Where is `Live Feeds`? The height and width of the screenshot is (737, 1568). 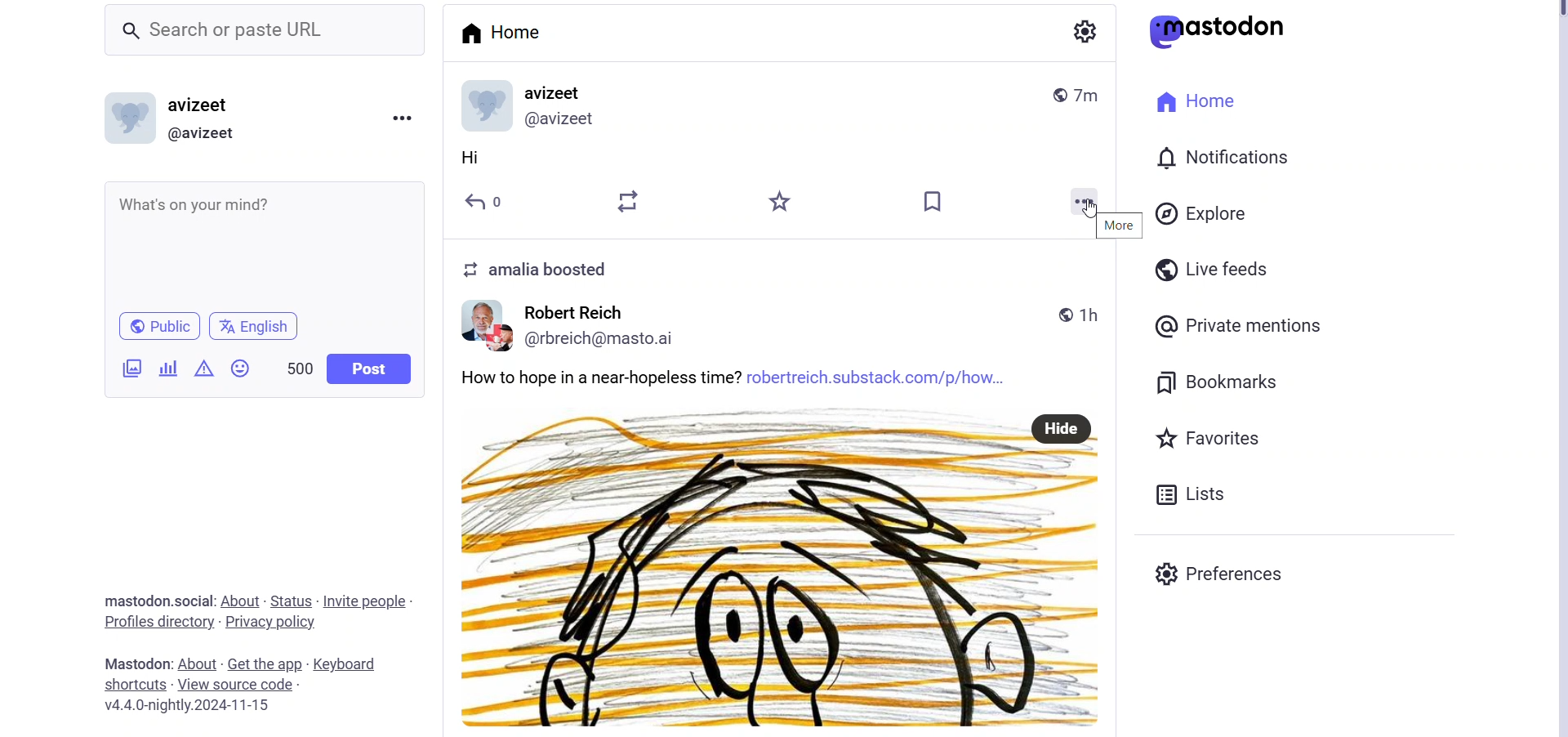
Live Feeds is located at coordinates (1210, 270).